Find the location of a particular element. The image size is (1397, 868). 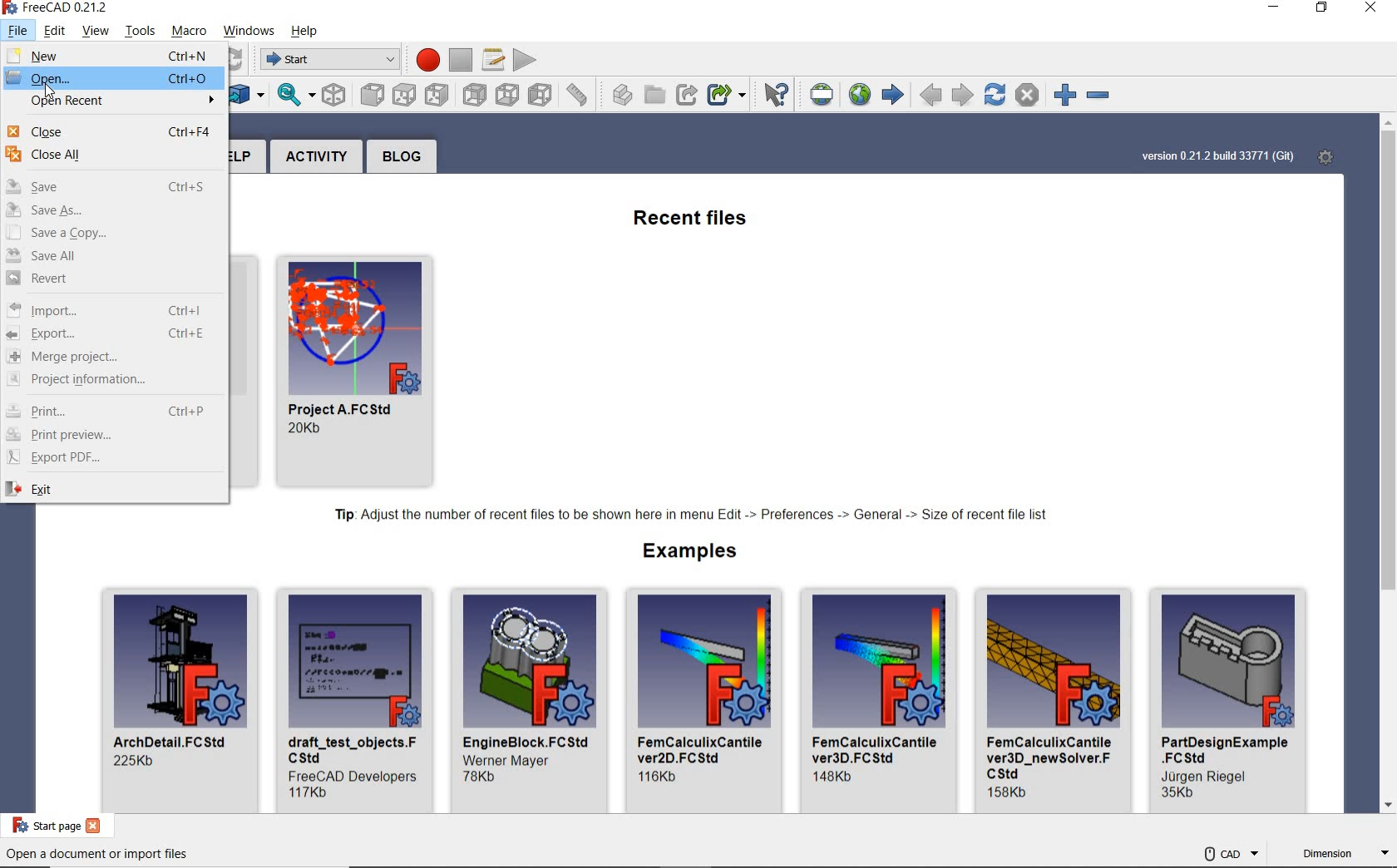

Ctrl+P is located at coordinates (189, 410).